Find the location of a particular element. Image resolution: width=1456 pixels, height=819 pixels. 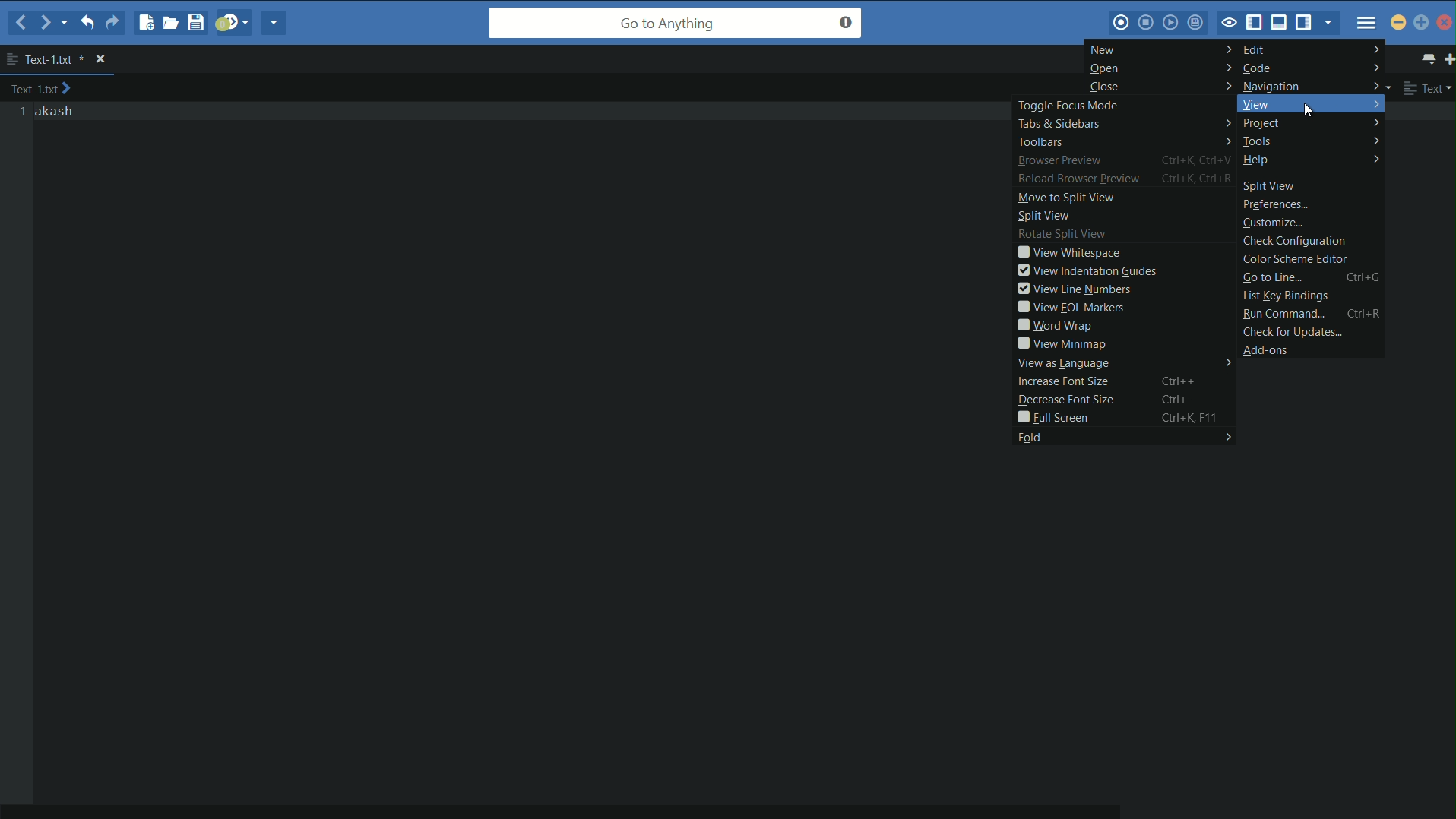

Close is located at coordinates (1445, 22).